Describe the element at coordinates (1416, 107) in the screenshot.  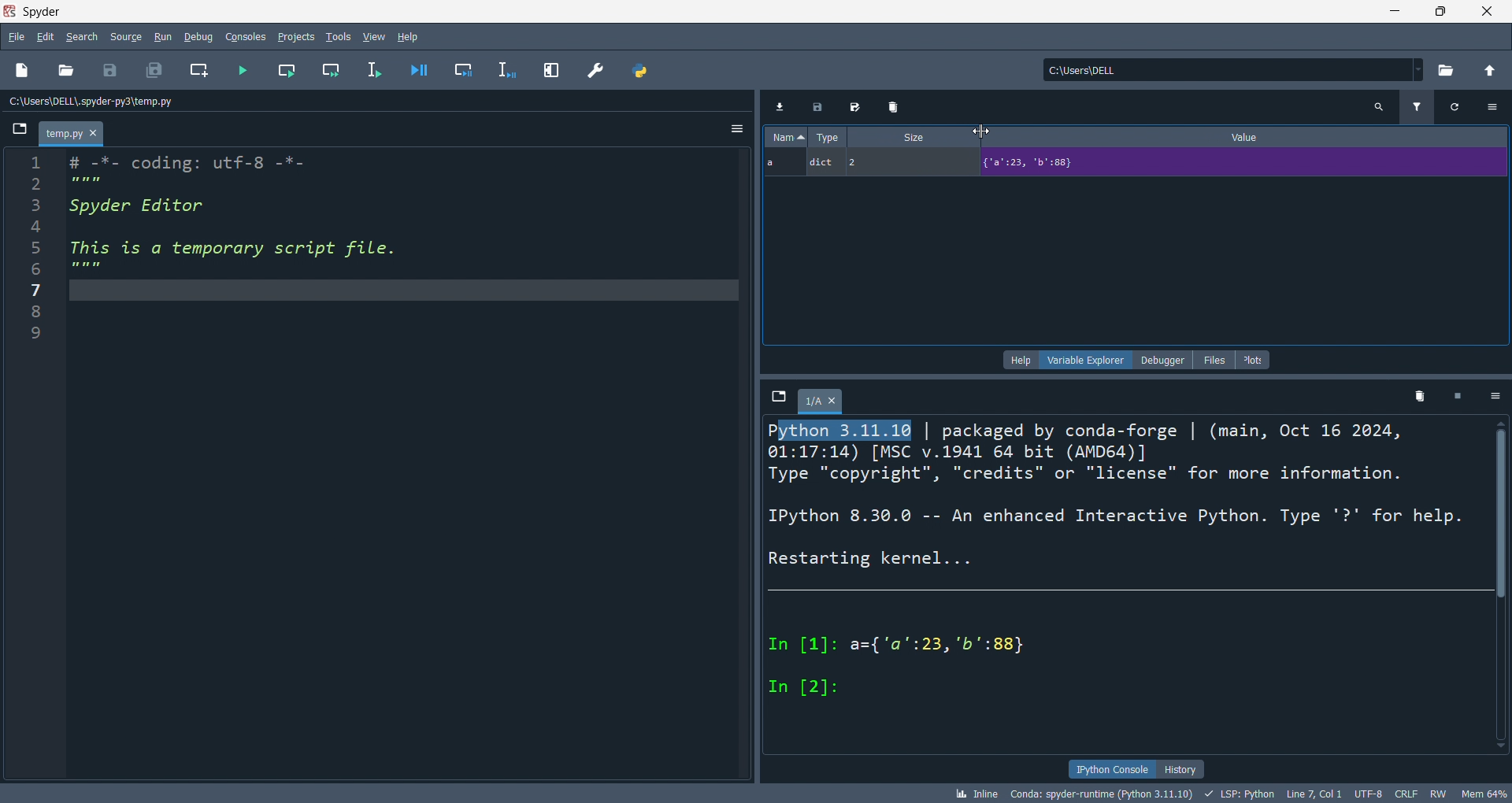
I see `filter` at that location.